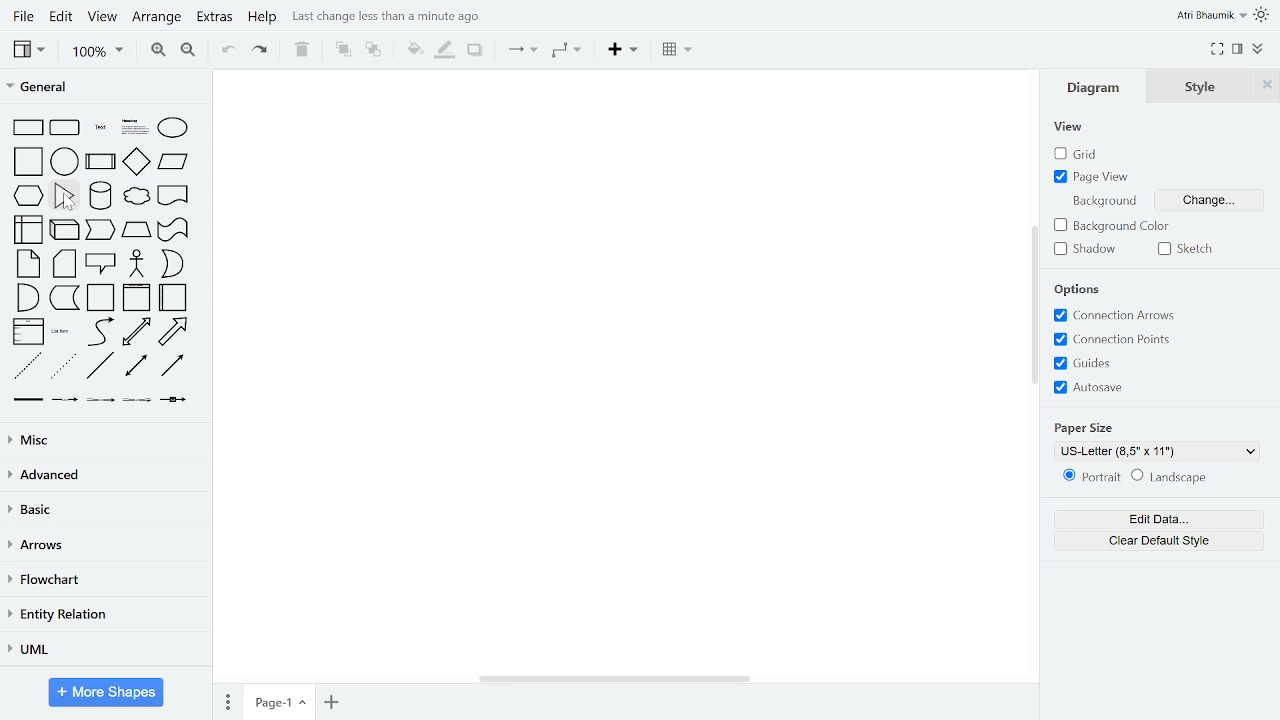 Image resolution: width=1280 pixels, height=720 pixels. Describe the element at coordinates (101, 648) in the screenshot. I see `UML` at that location.